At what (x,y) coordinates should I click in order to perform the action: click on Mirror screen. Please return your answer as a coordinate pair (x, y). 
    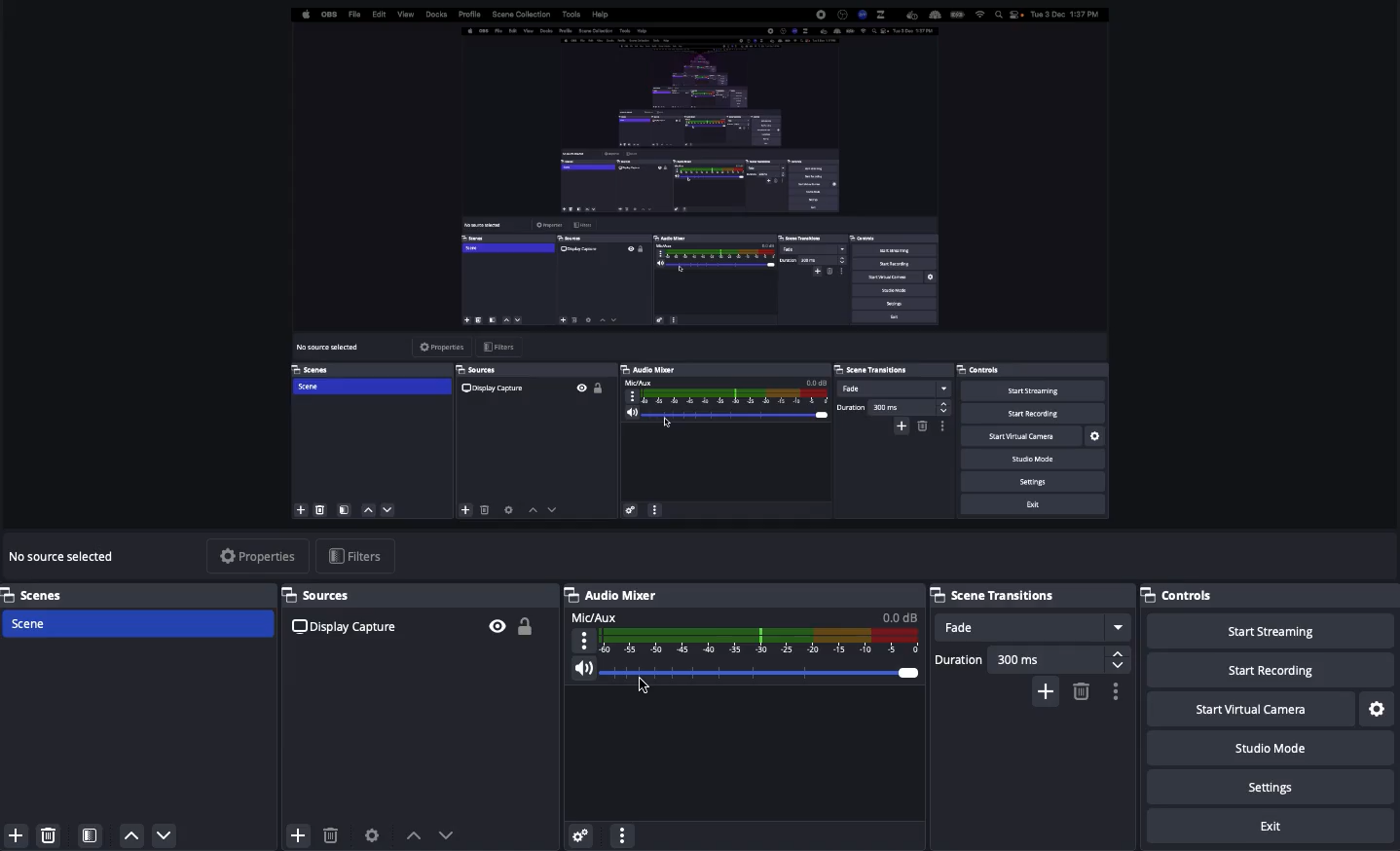
    Looking at the image, I should click on (694, 265).